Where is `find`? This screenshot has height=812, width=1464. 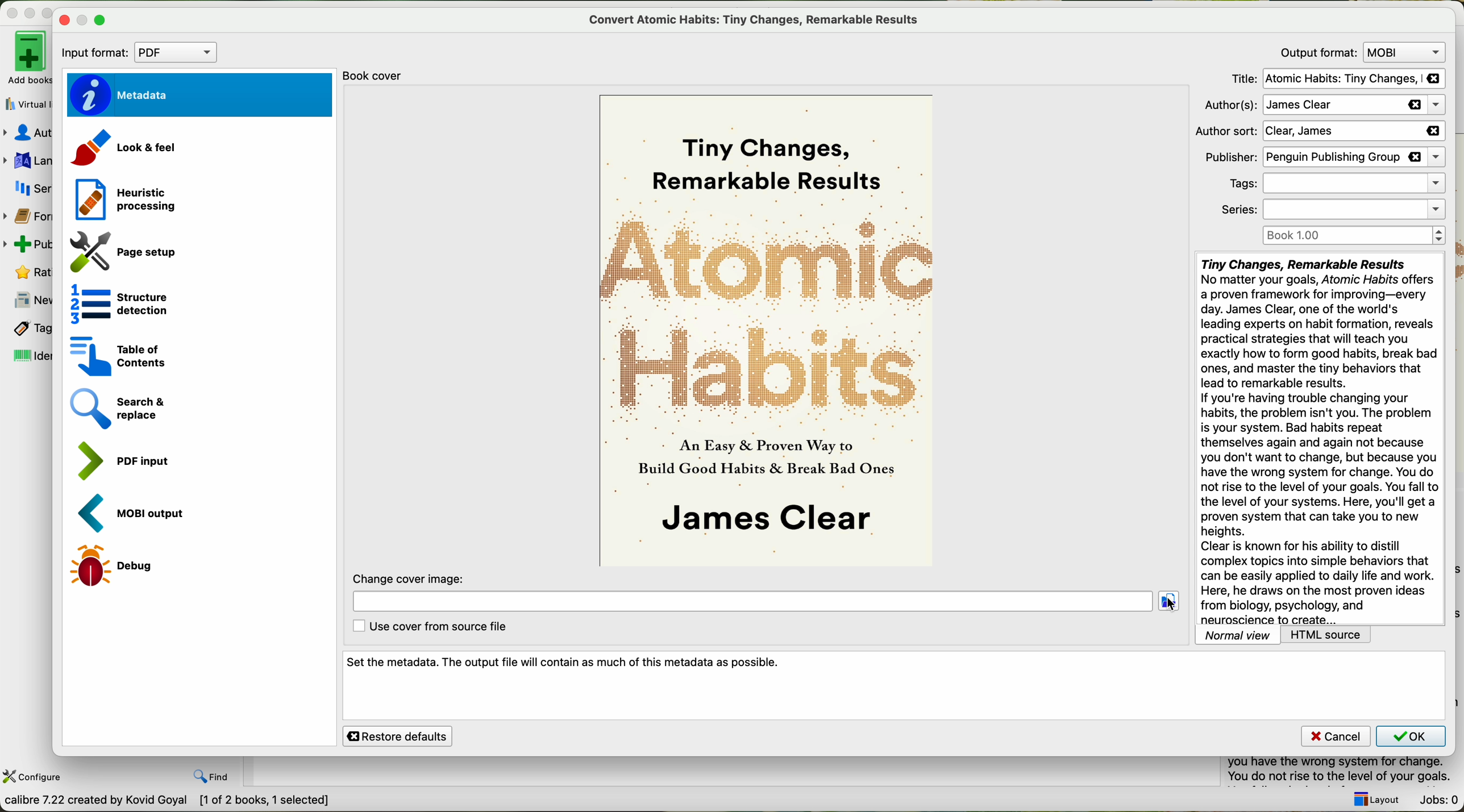 find is located at coordinates (214, 777).